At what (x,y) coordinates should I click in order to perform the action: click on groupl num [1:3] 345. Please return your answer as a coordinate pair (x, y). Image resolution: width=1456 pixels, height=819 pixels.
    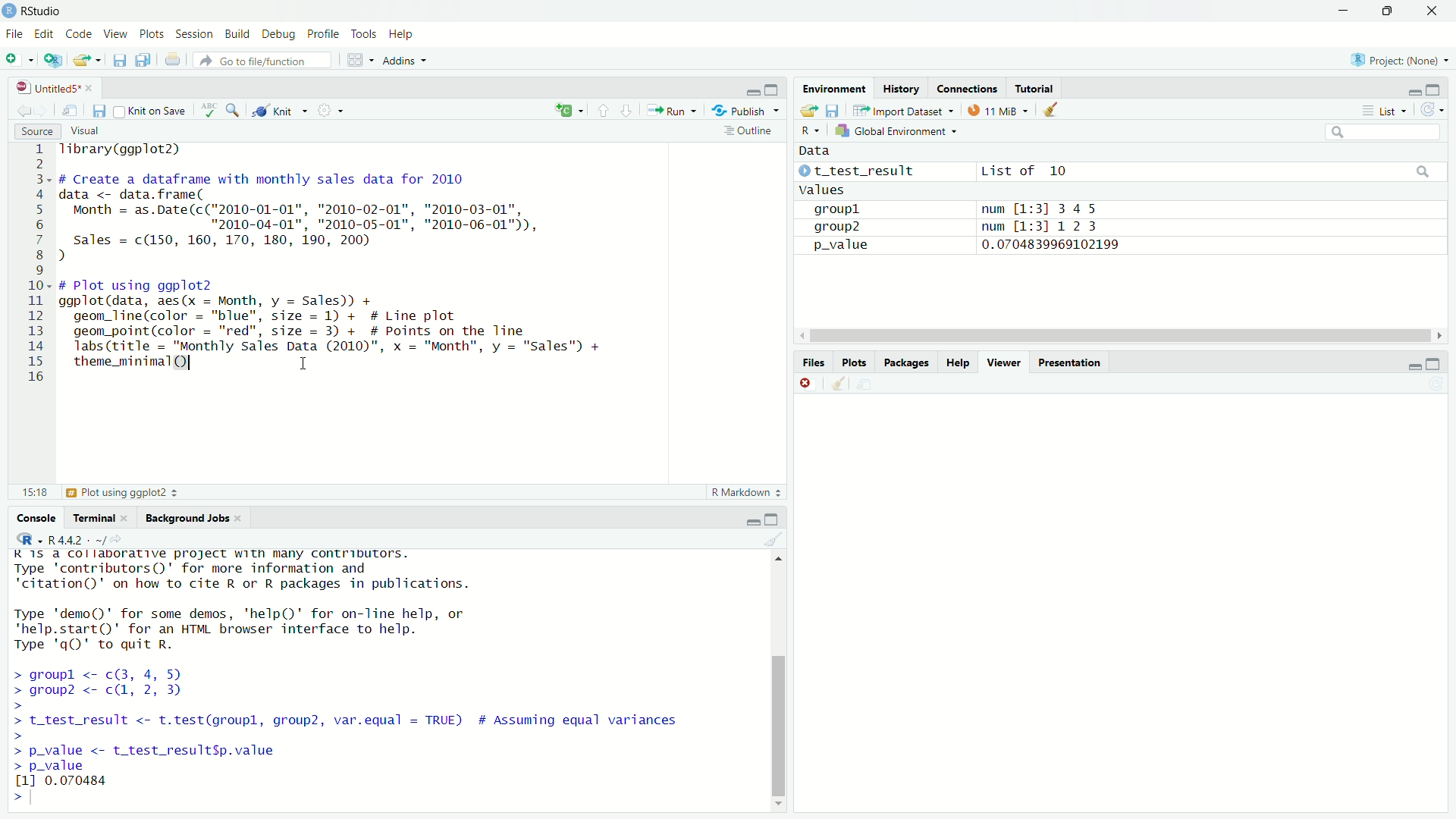
    Looking at the image, I should click on (952, 210).